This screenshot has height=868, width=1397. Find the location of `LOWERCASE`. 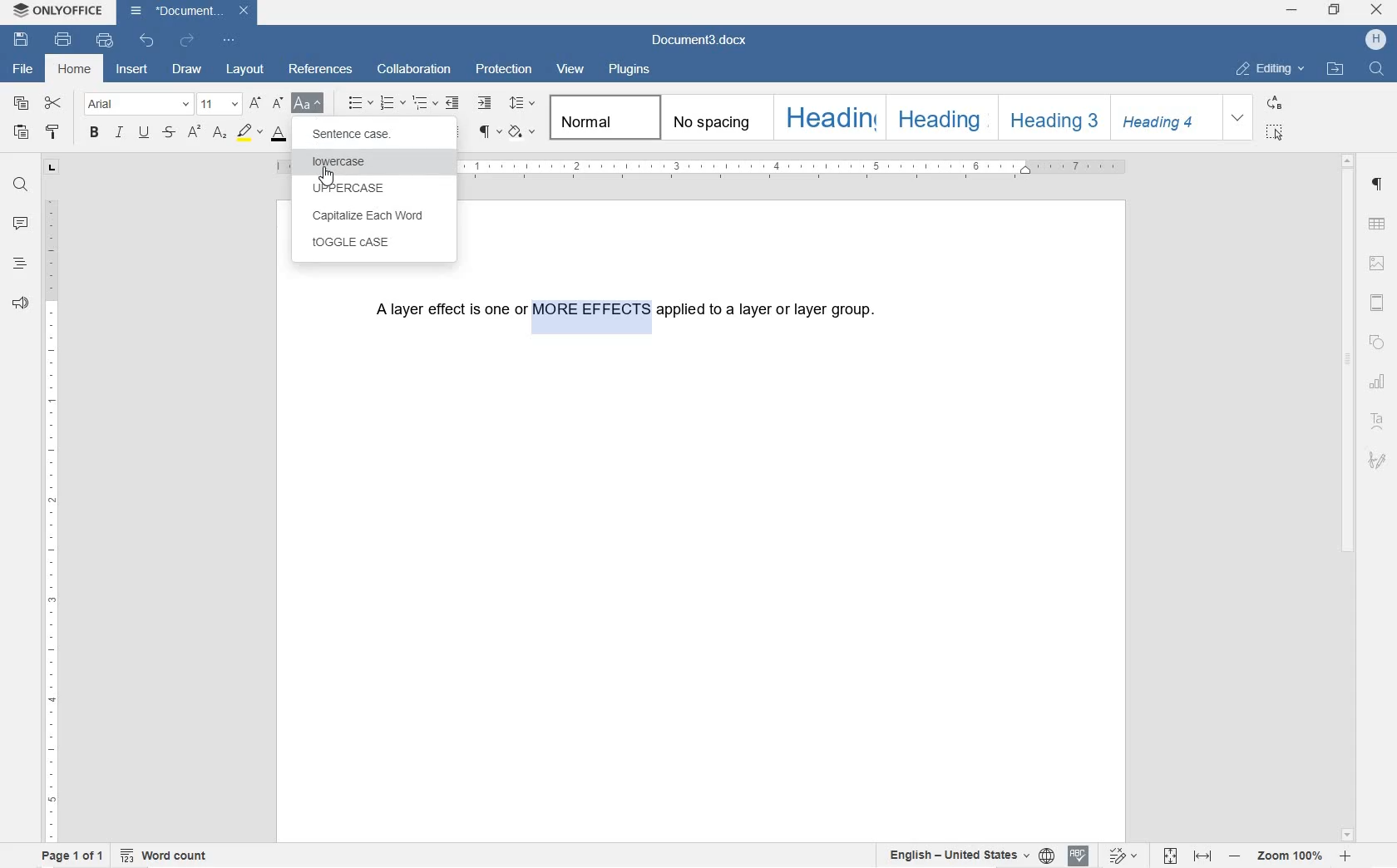

LOWERCASE is located at coordinates (365, 162).